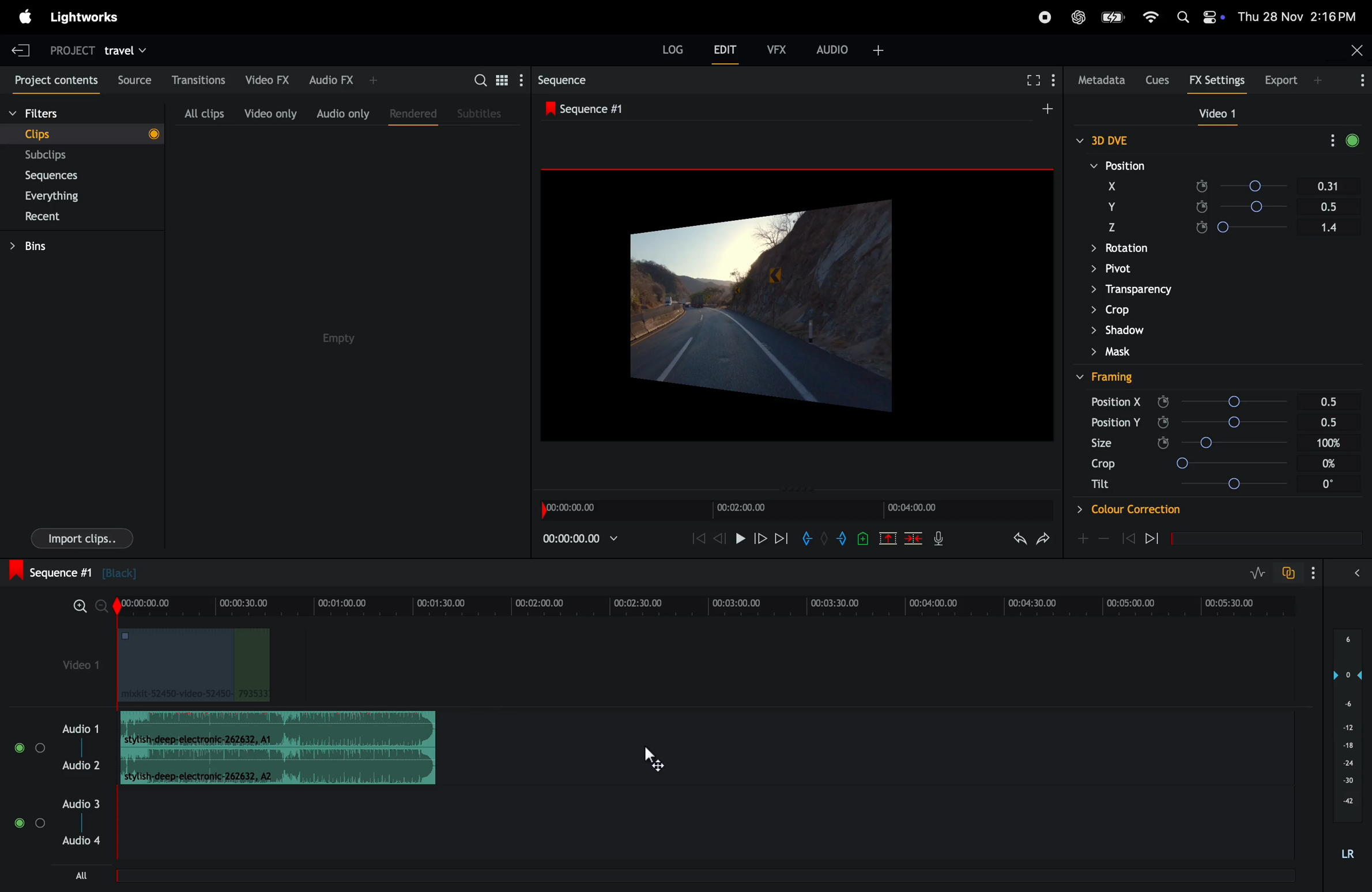 The image size is (1372, 892). I want to click on , so click(1100, 483).